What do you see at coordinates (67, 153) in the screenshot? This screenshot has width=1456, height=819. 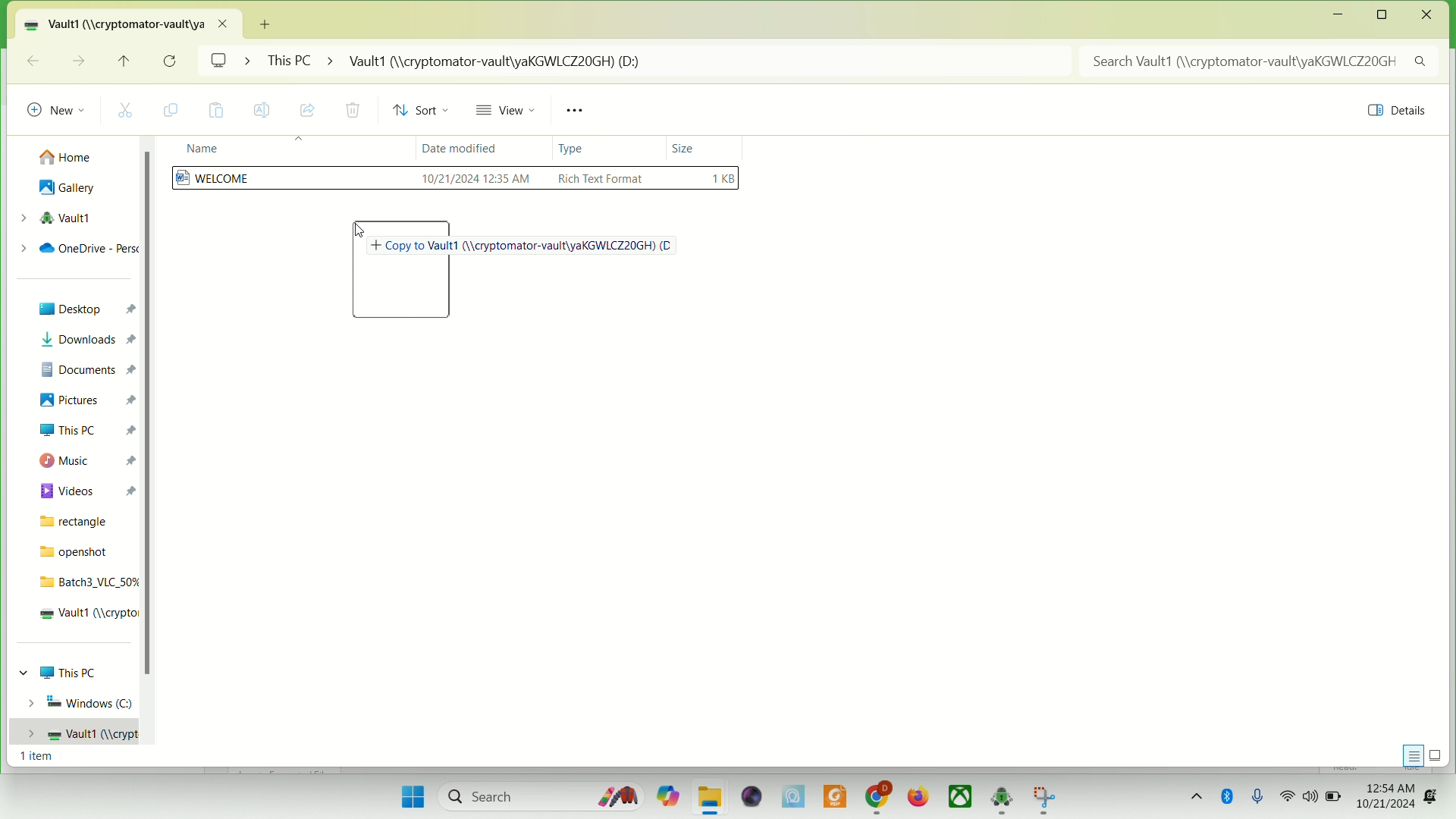 I see `home` at bounding box center [67, 153].